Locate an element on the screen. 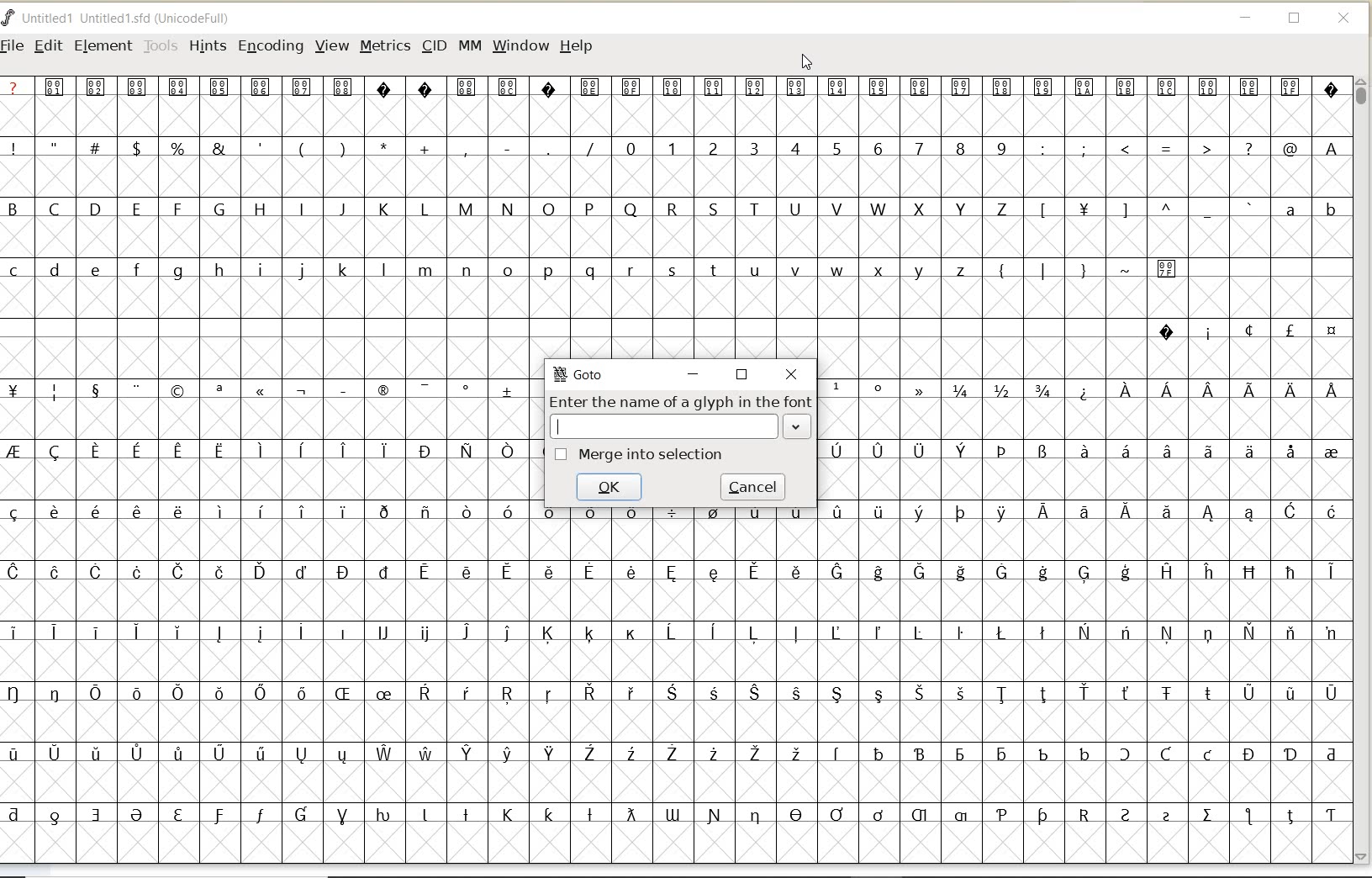  GoTo is located at coordinates (578, 374).